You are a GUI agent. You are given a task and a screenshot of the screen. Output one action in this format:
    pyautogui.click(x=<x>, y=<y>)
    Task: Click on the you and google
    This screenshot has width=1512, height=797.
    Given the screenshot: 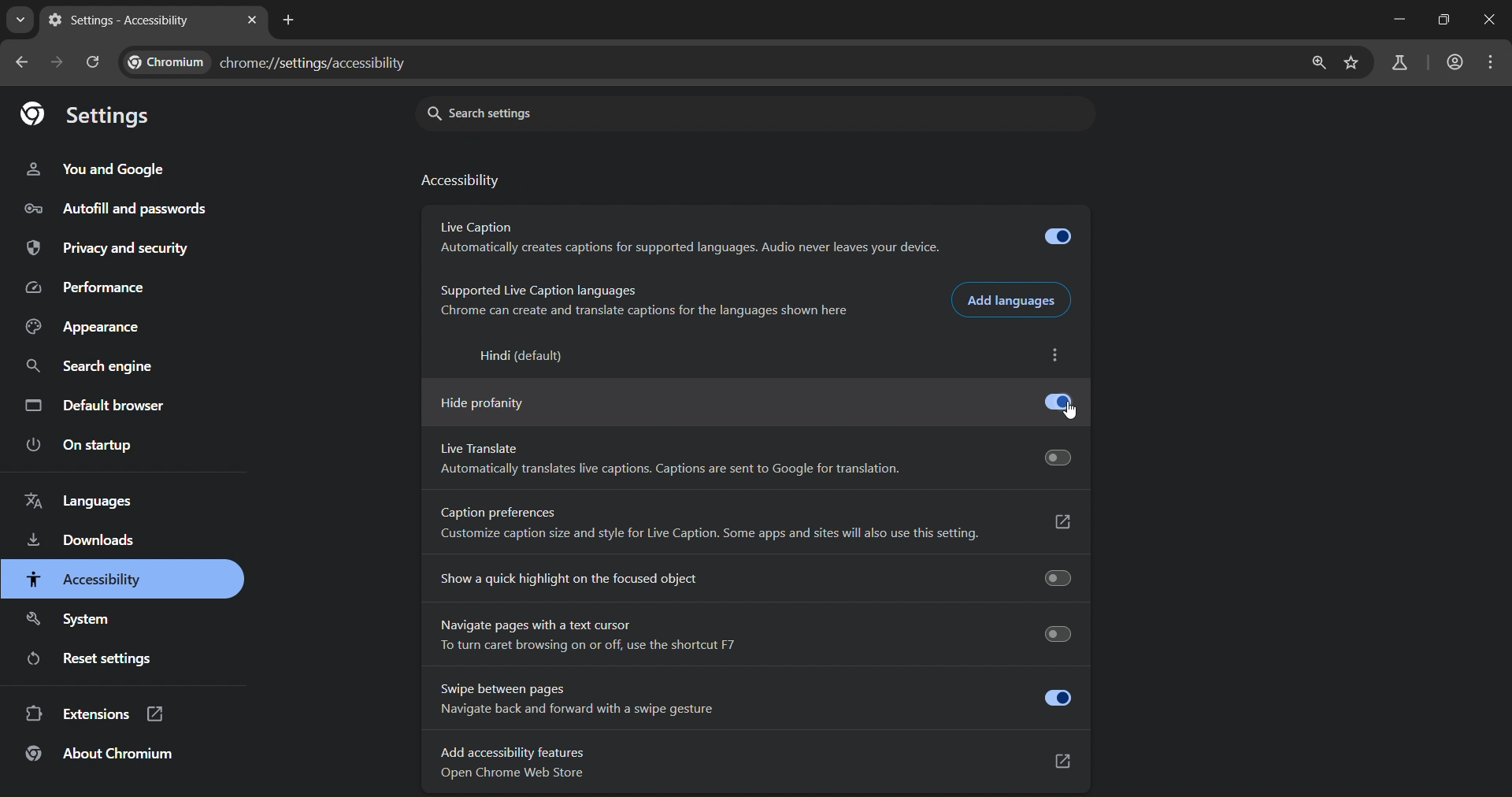 What is the action you would take?
    pyautogui.click(x=94, y=169)
    